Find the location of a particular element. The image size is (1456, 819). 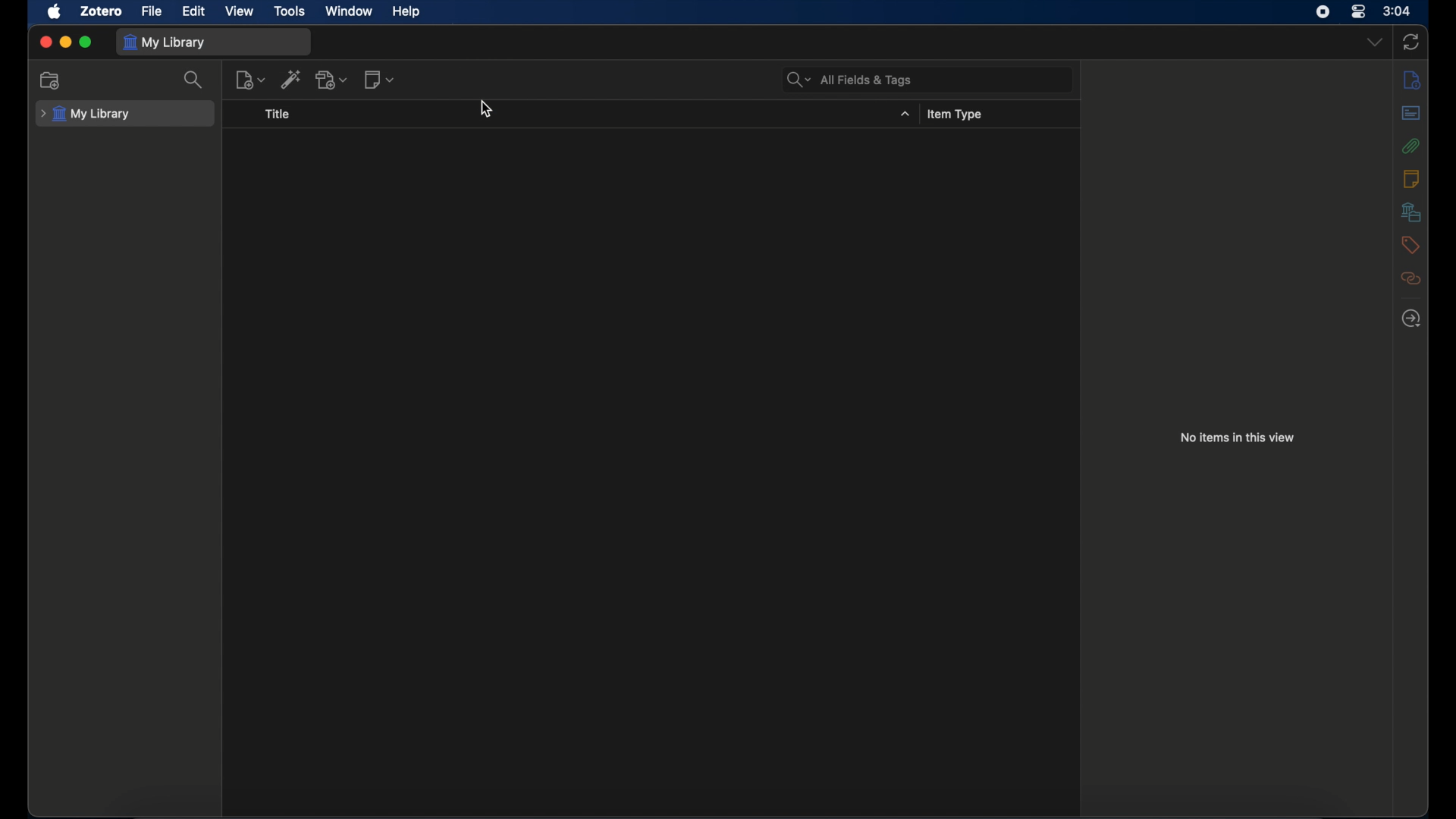

tags is located at coordinates (1410, 244).